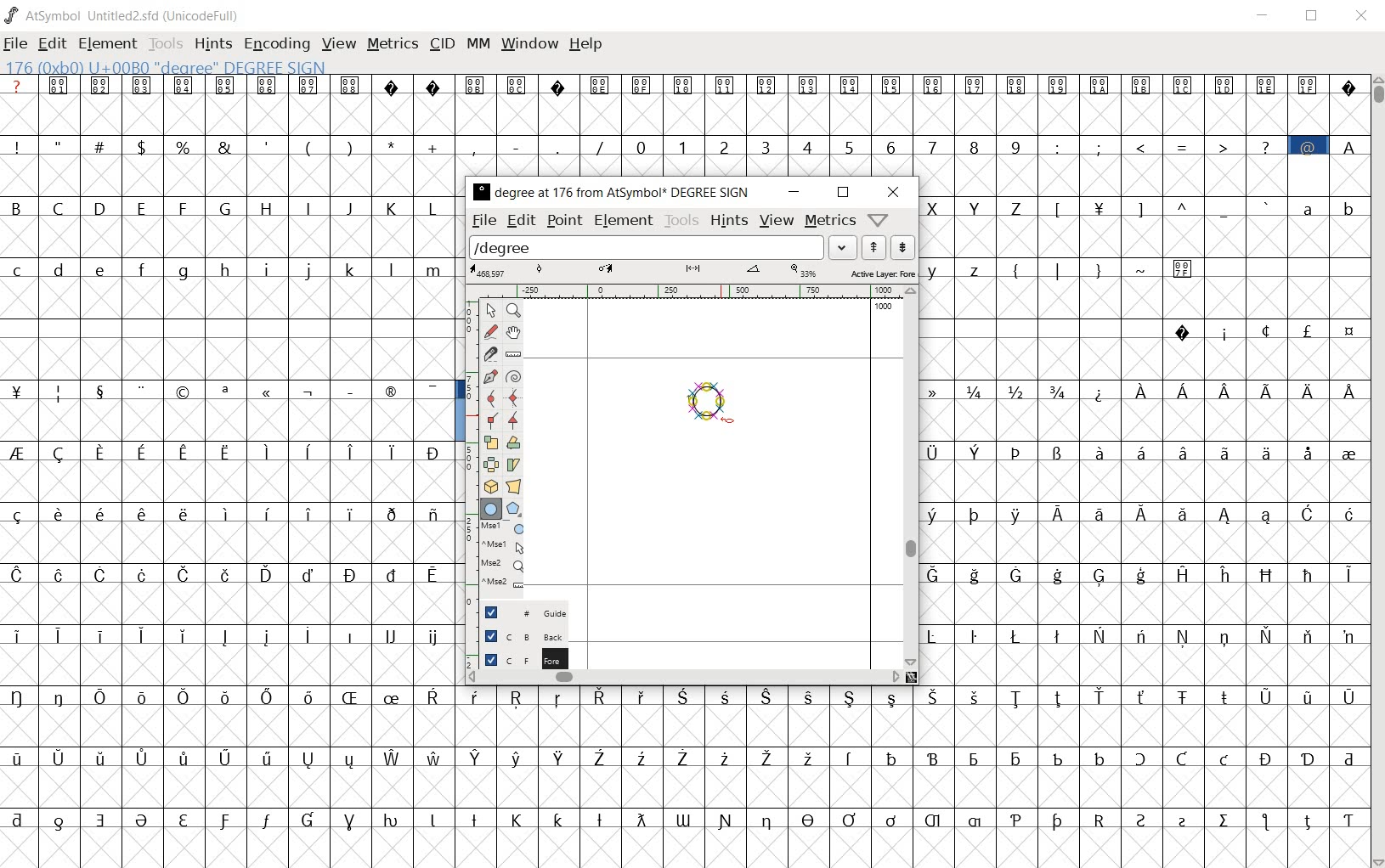 This screenshot has height=868, width=1385. What do you see at coordinates (718, 404) in the screenshot?
I see `creating custom glyph for the degree symbol` at bounding box center [718, 404].